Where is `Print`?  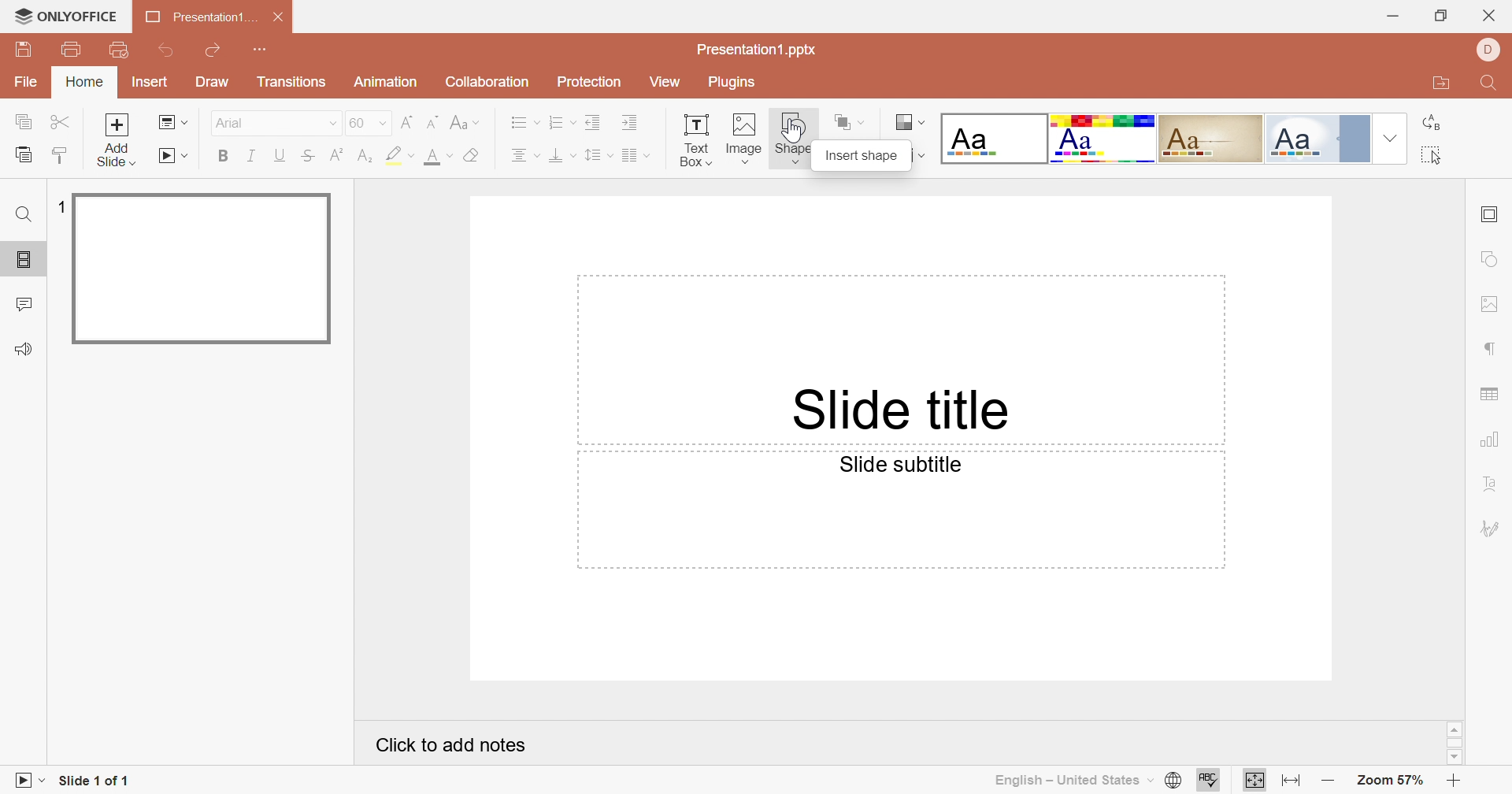
Print is located at coordinates (72, 50).